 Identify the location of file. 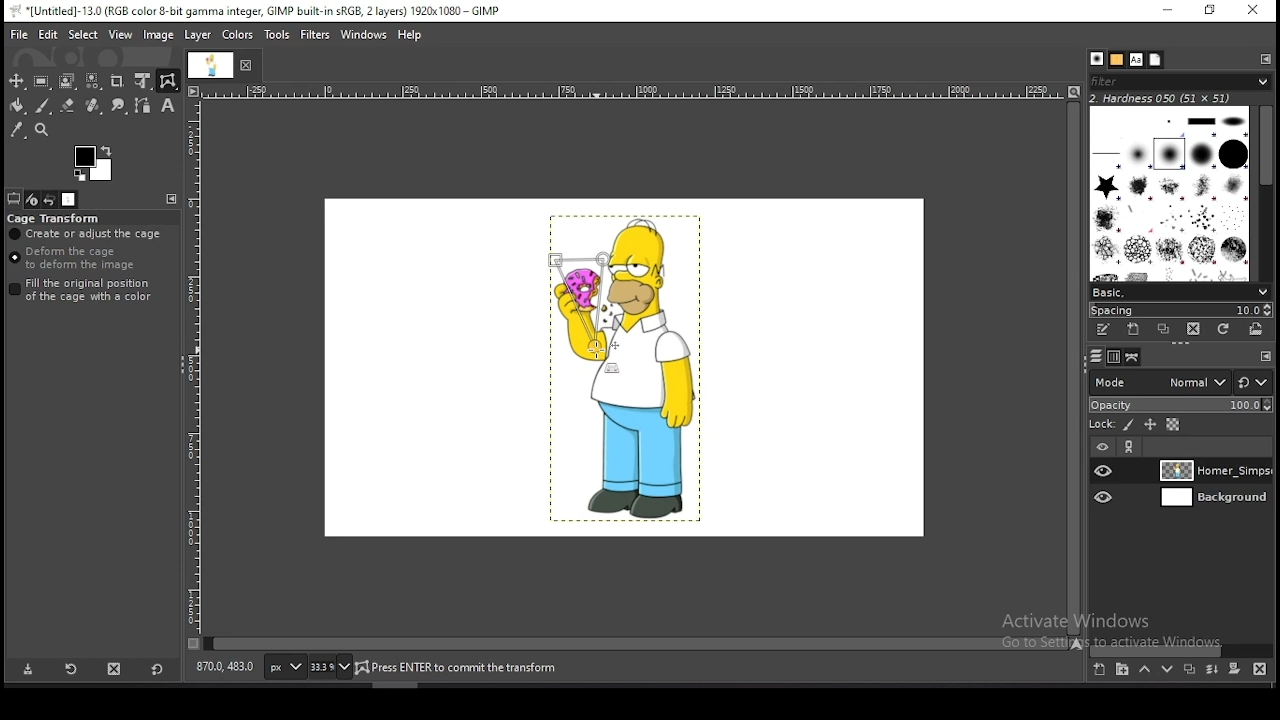
(19, 33).